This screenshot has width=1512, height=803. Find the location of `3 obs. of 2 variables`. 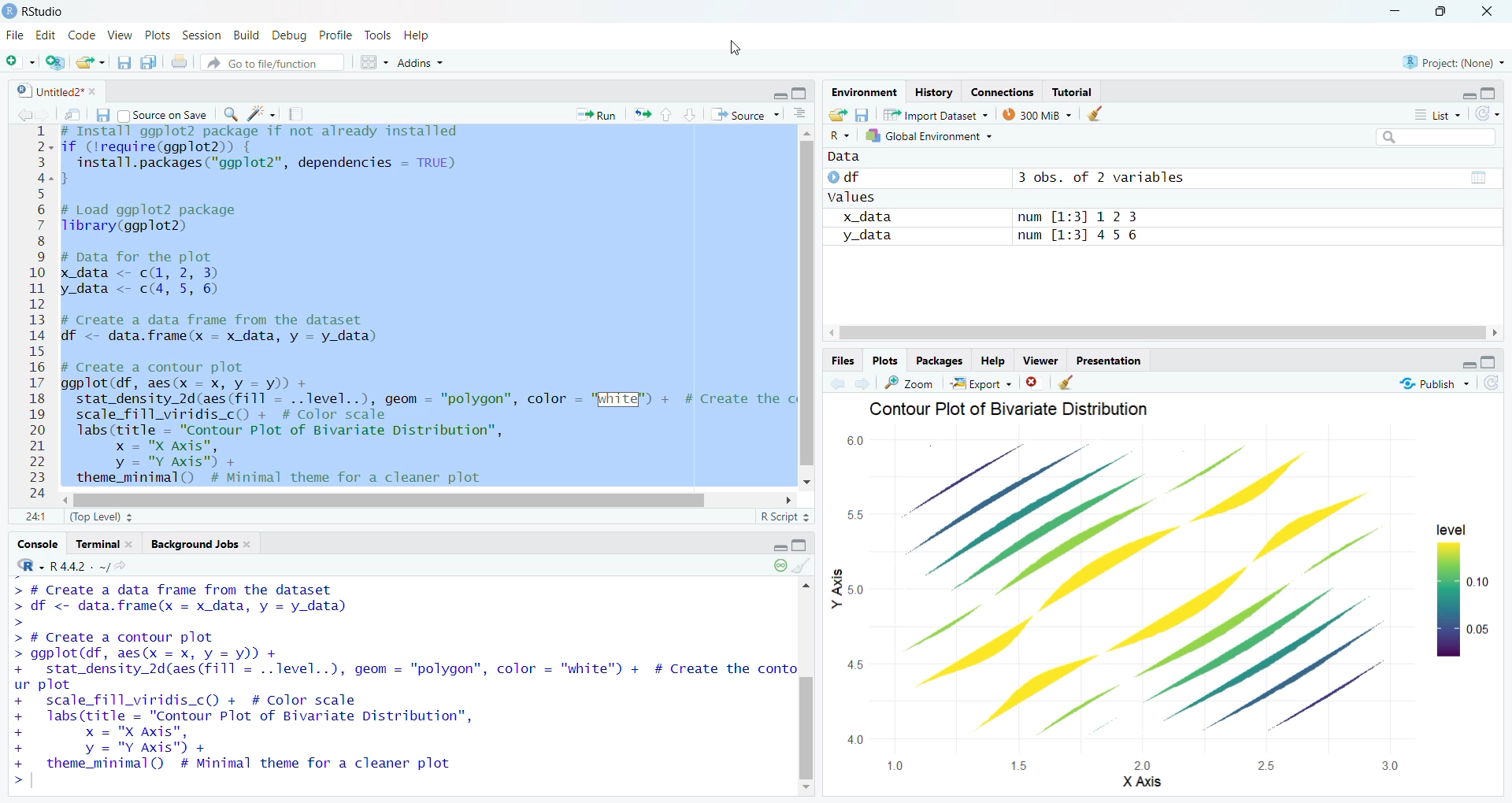

3 obs. of 2 variables is located at coordinates (1102, 179).